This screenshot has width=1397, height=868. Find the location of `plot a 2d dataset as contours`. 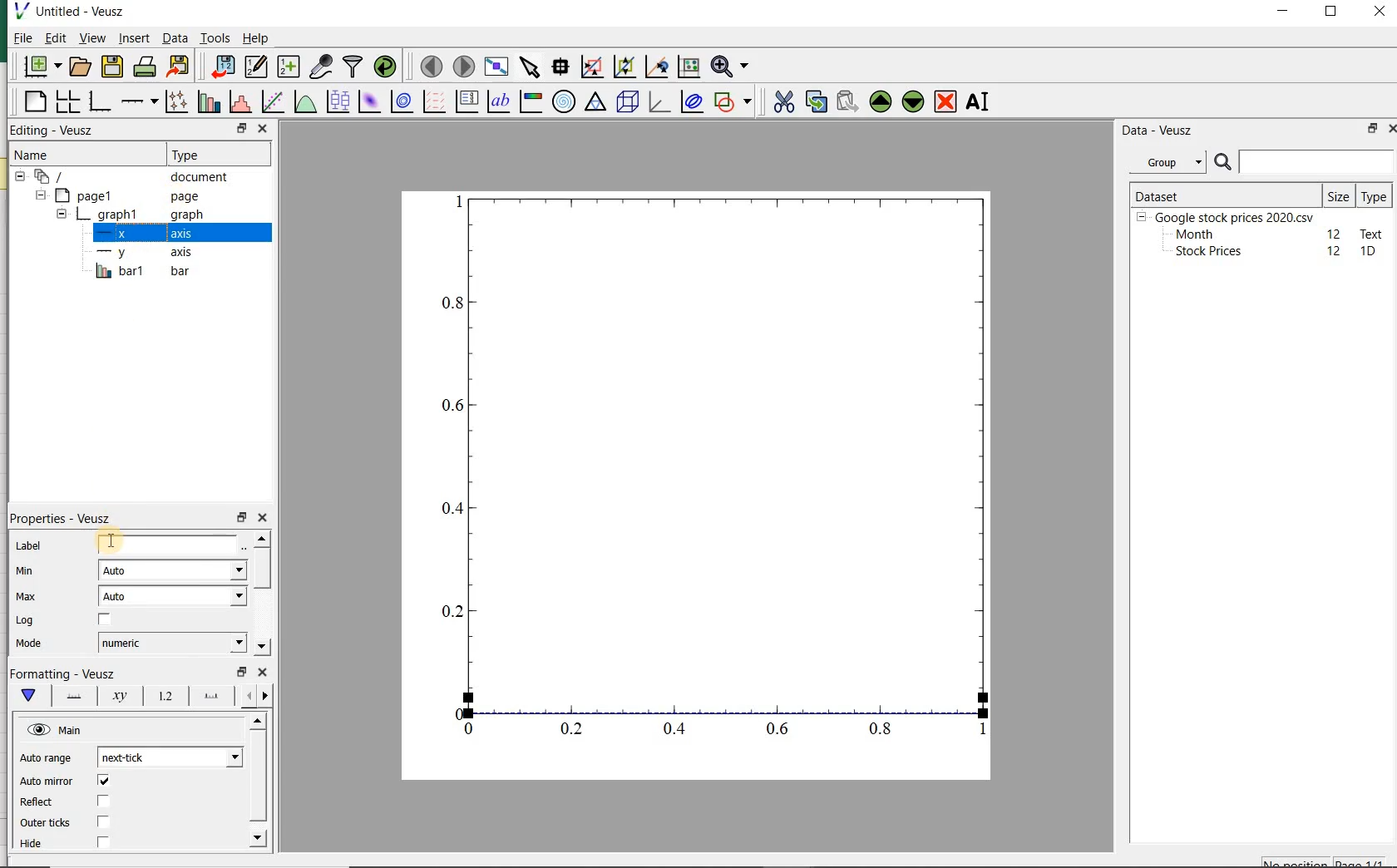

plot a 2d dataset as contours is located at coordinates (399, 103).